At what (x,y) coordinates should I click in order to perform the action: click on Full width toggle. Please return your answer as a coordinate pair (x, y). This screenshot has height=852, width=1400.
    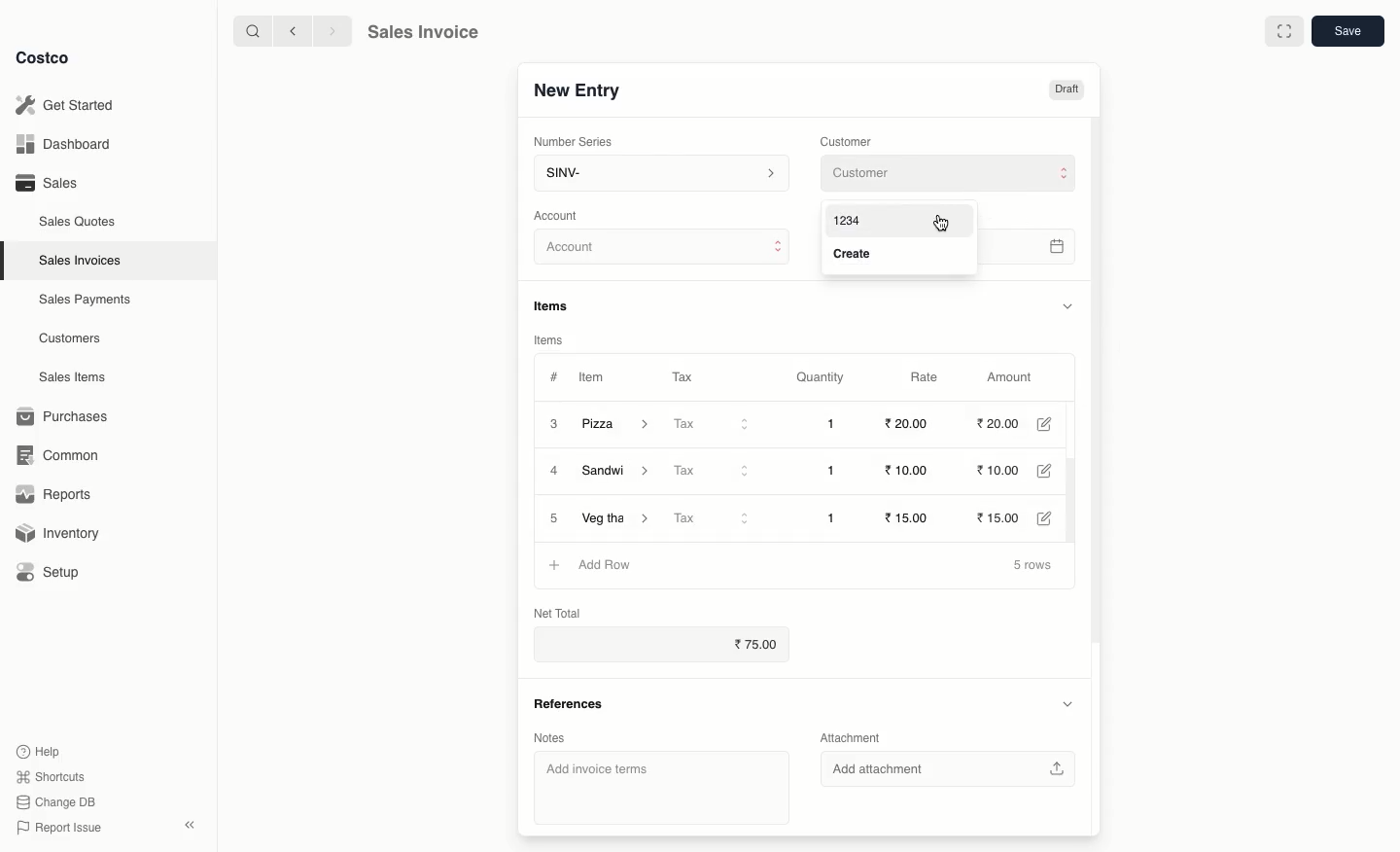
    Looking at the image, I should click on (1282, 32).